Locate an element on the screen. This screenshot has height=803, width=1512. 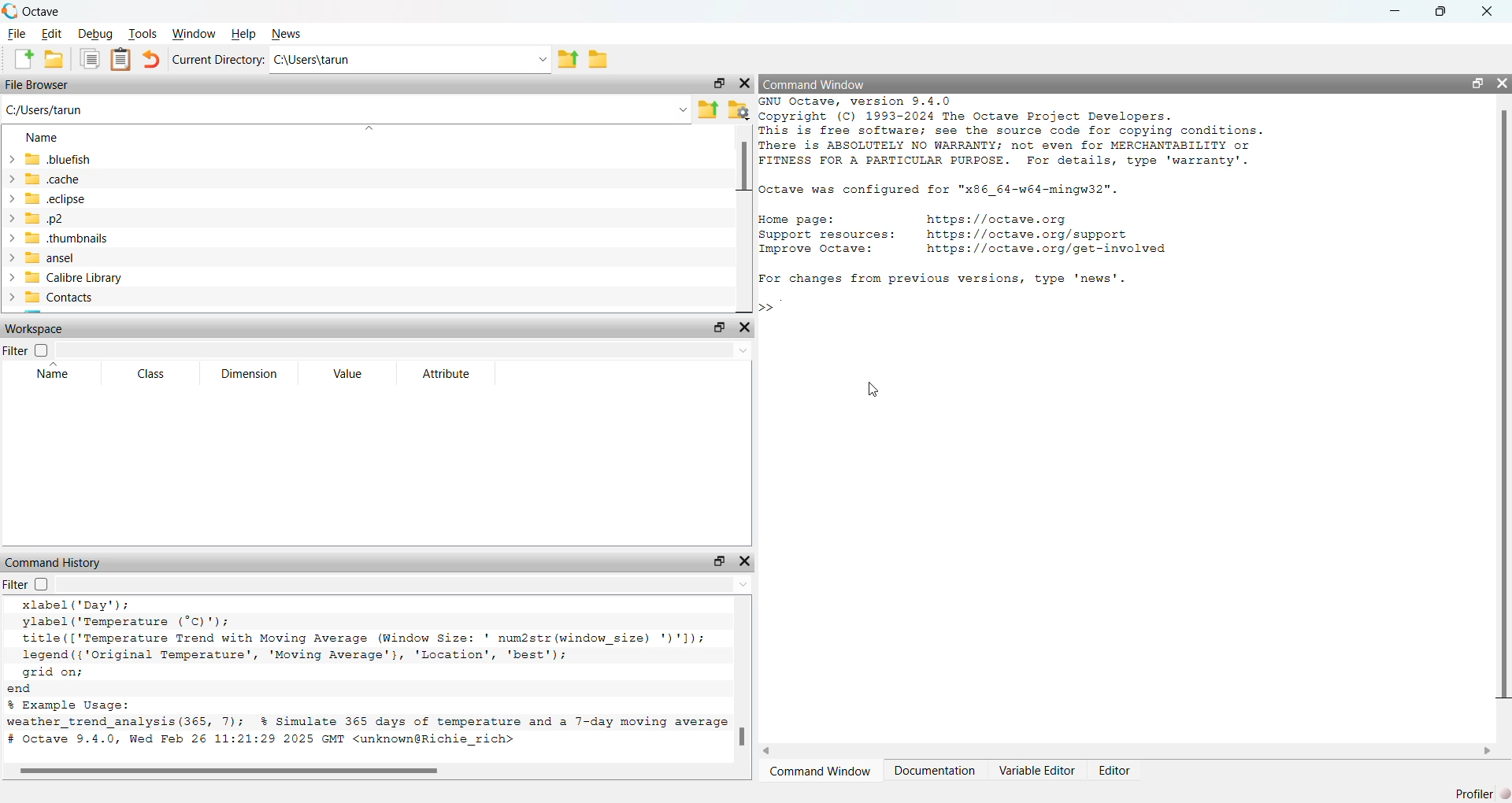
Octave is located at coordinates (36, 10).